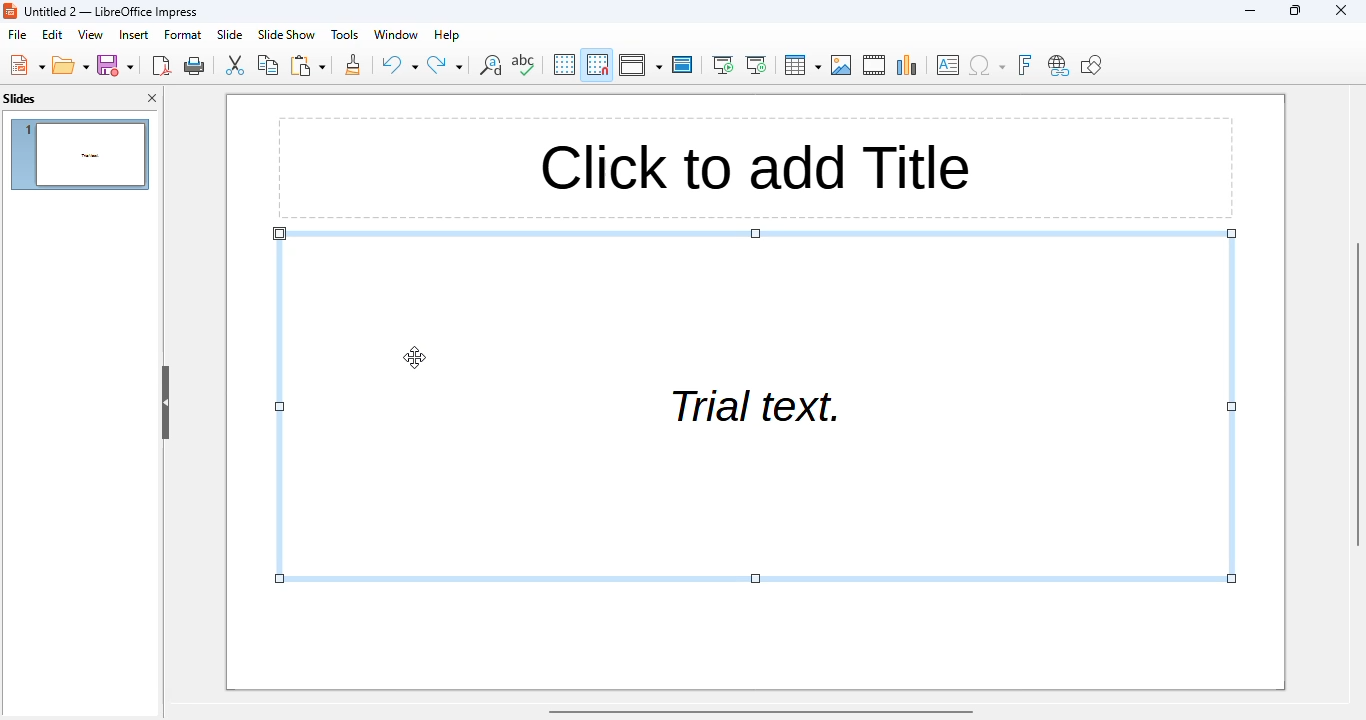  What do you see at coordinates (118, 12) in the screenshot?
I see `Untitled 2 — LibreOffice Impress` at bounding box center [118, 12].